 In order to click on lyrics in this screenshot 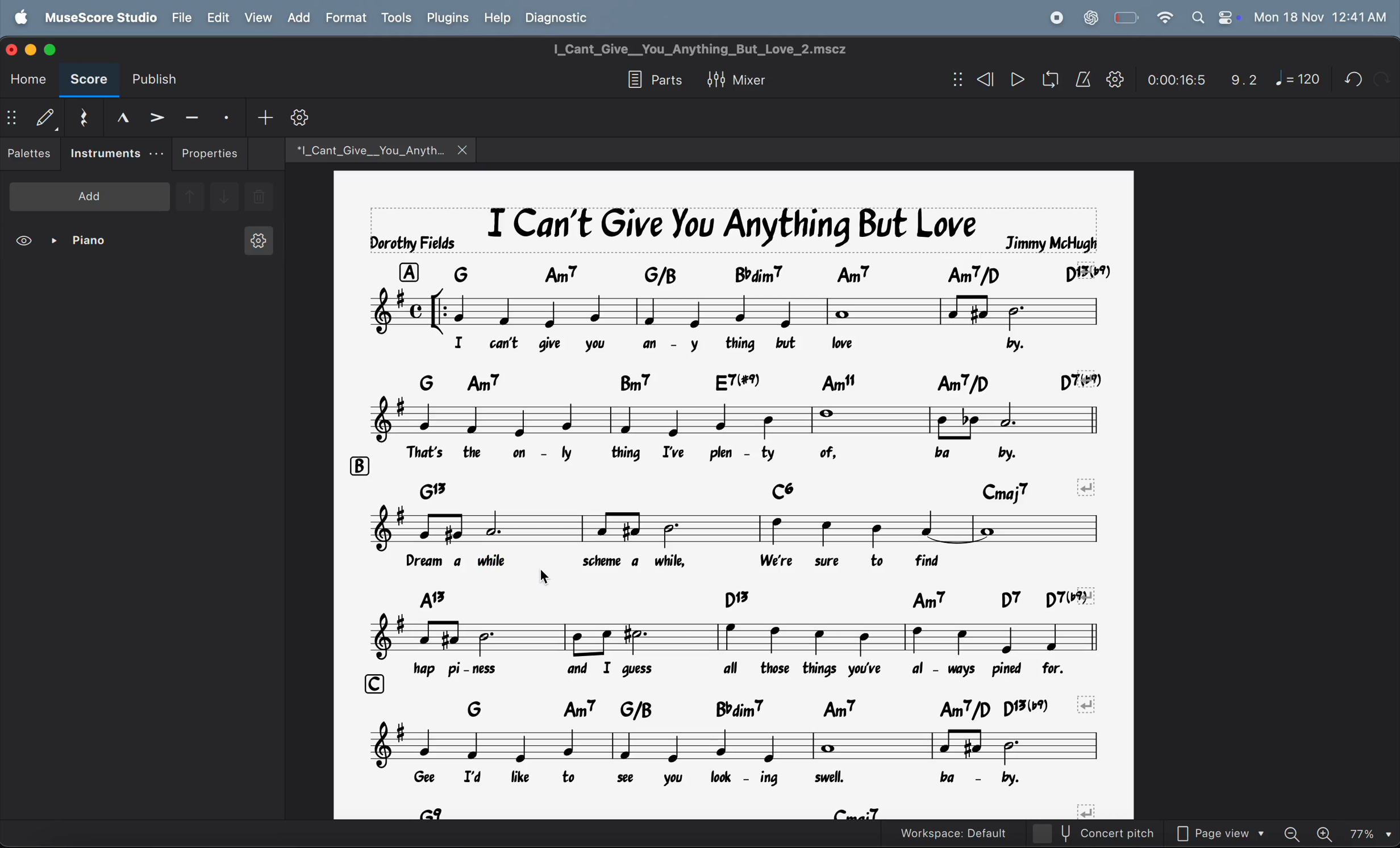, I will do `click(756, 778)`.